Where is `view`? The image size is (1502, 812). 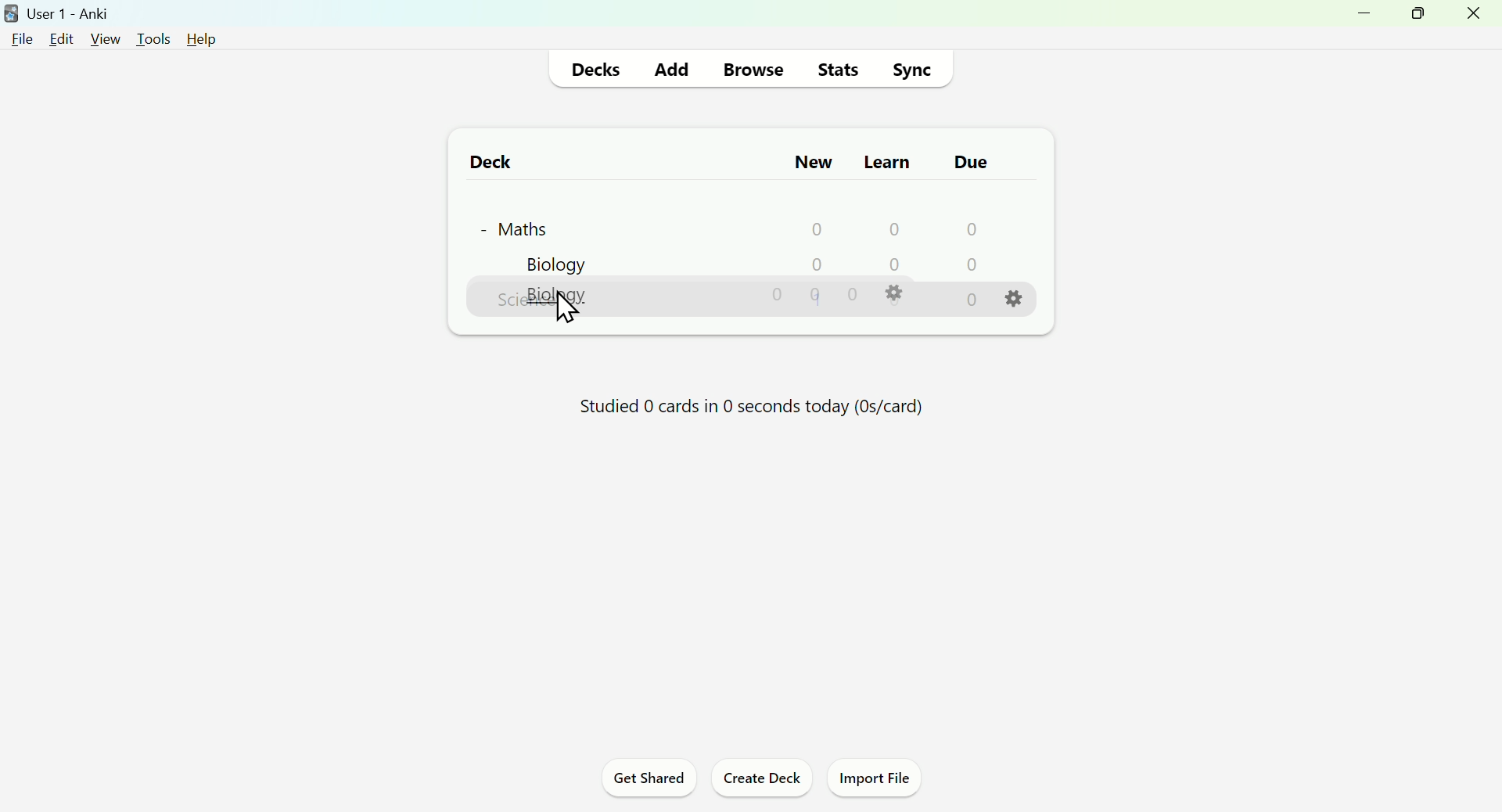 view is located at coordinates (104, 39).